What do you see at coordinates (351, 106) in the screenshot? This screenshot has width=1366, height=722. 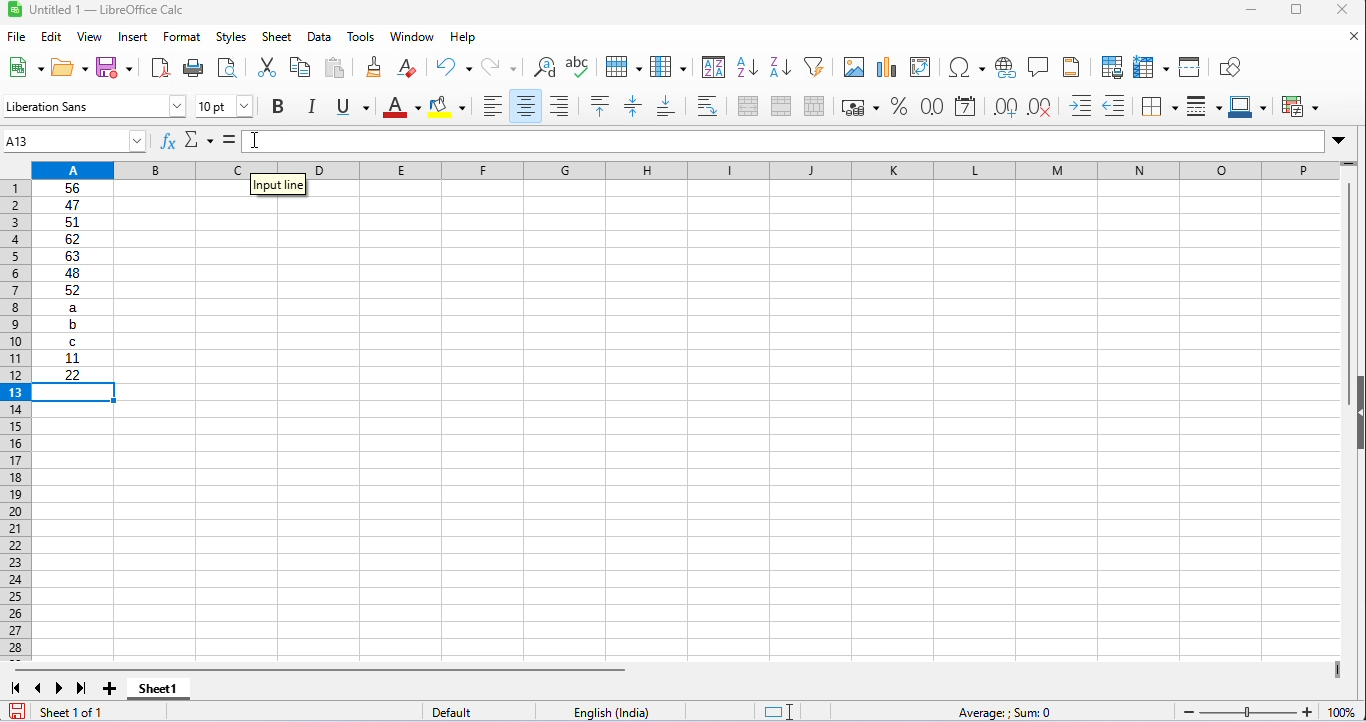 I see `underline` at bounding box center [351, 106].